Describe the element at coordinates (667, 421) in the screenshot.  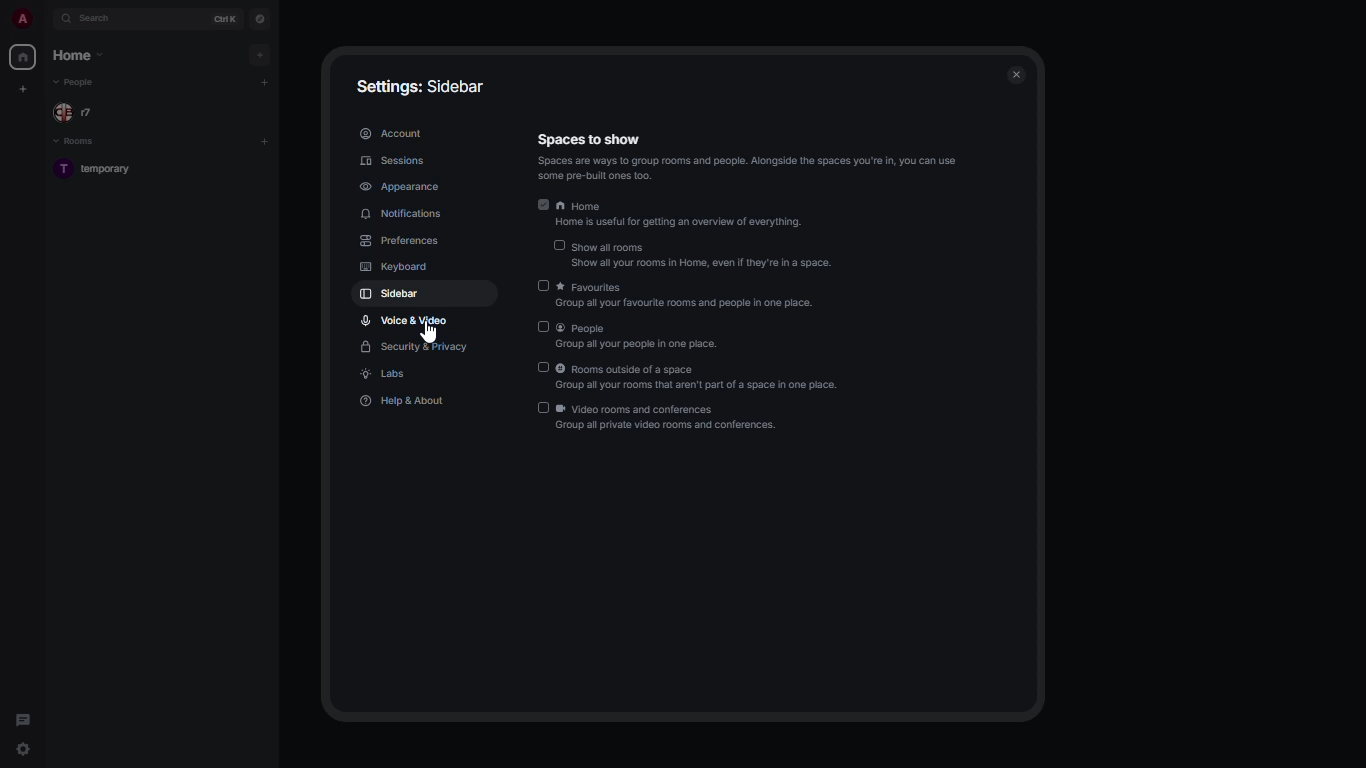
I see `video rooms and conferences` at that location.